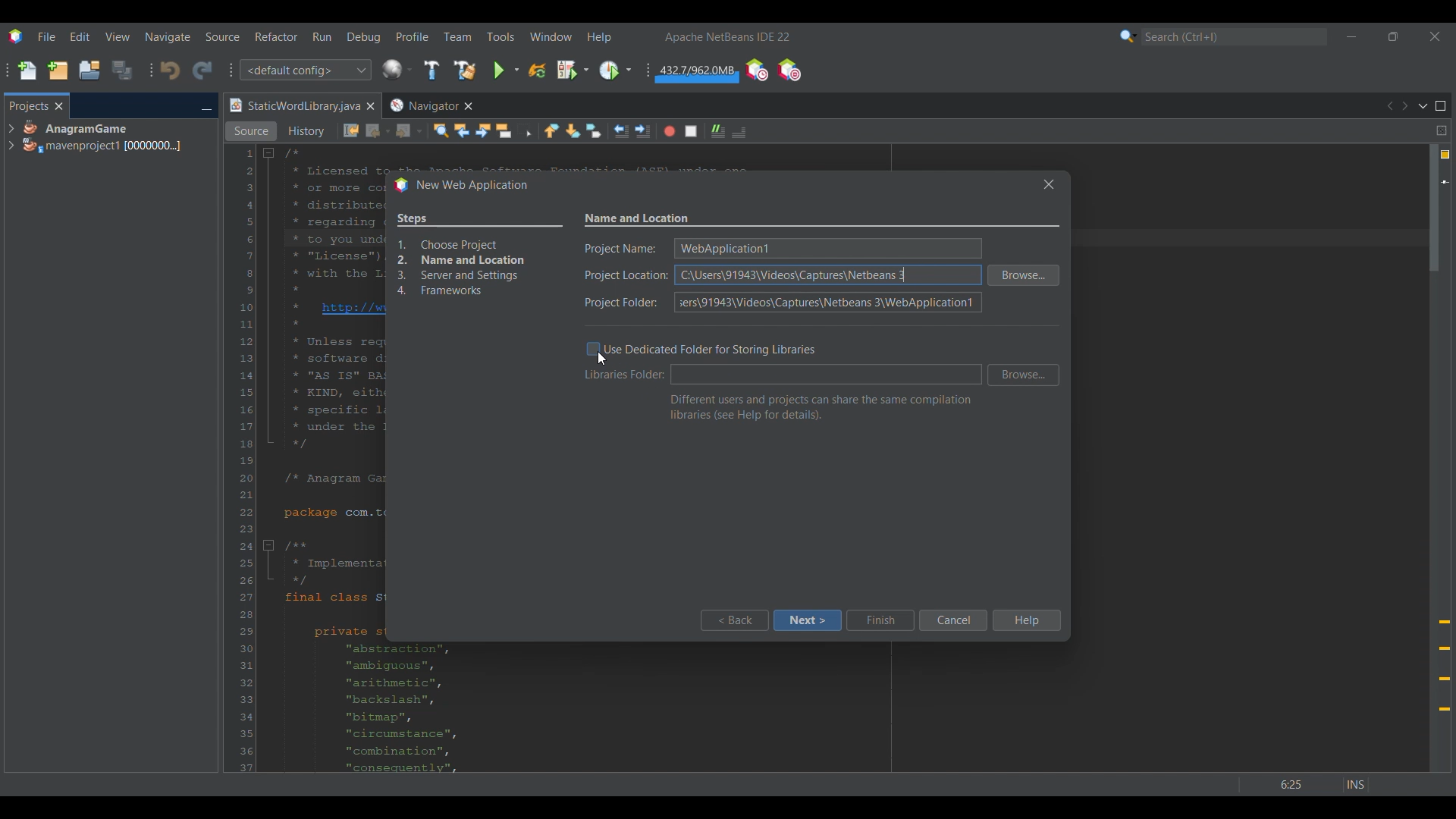  What do you see at coordinates (697, 74) in the screenshot?
I see `Garbage collection changed` at bounding box center [697, 74].